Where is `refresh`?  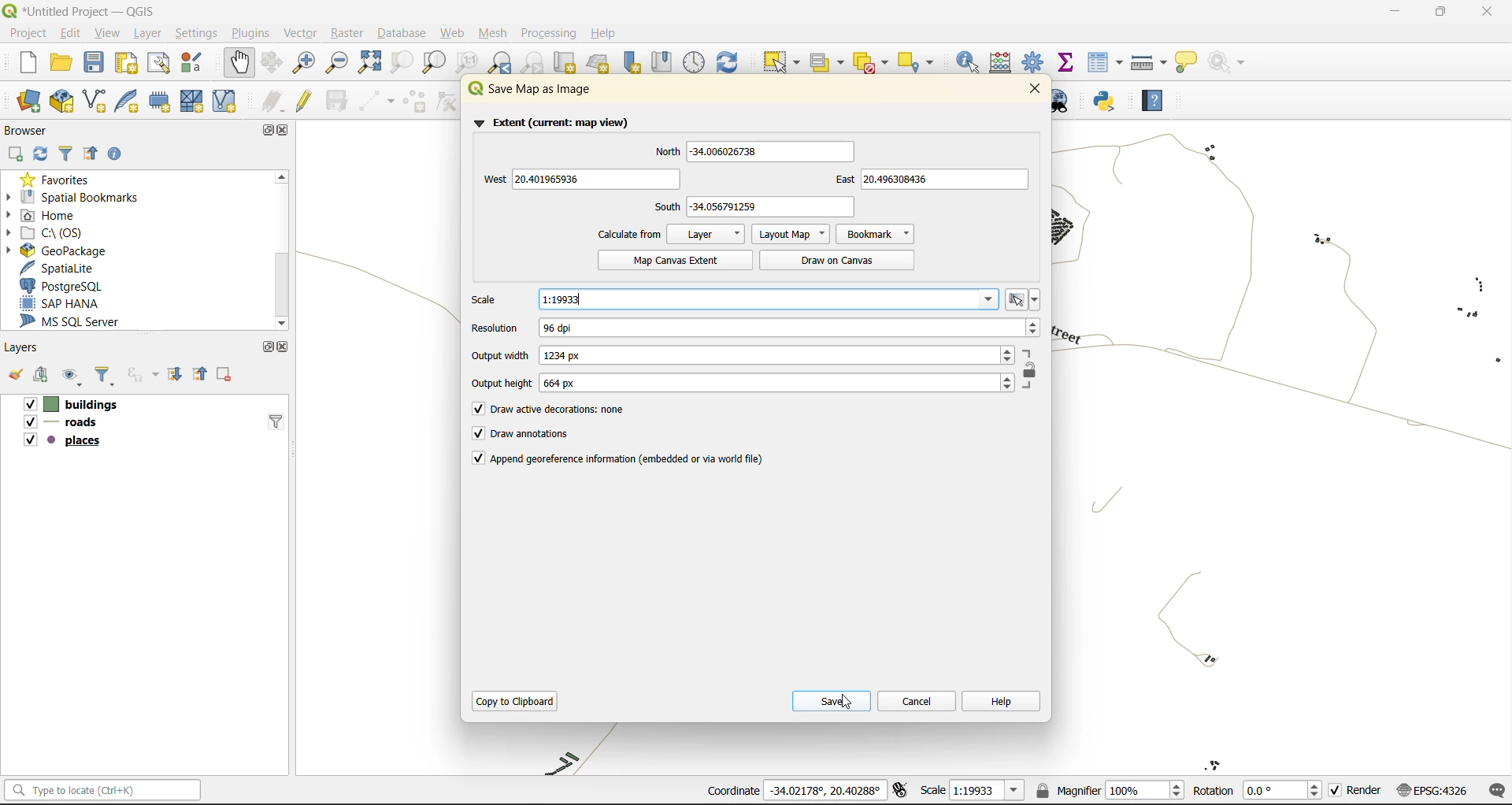 refresh is located at coordinates (732, 63).